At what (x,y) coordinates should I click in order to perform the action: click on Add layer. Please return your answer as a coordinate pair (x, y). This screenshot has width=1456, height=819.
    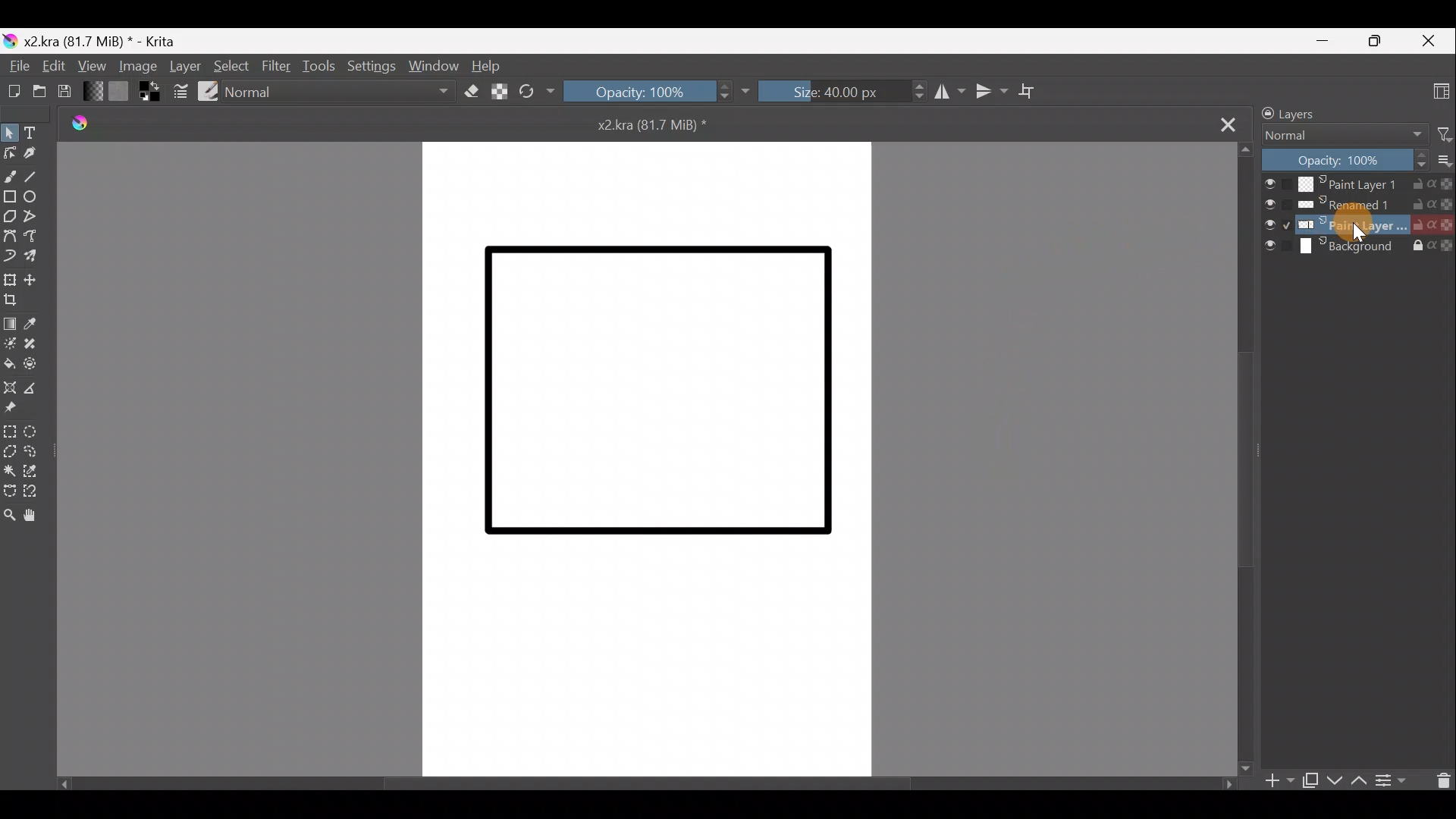
    Looking at the image, I should click on (1276, 784).